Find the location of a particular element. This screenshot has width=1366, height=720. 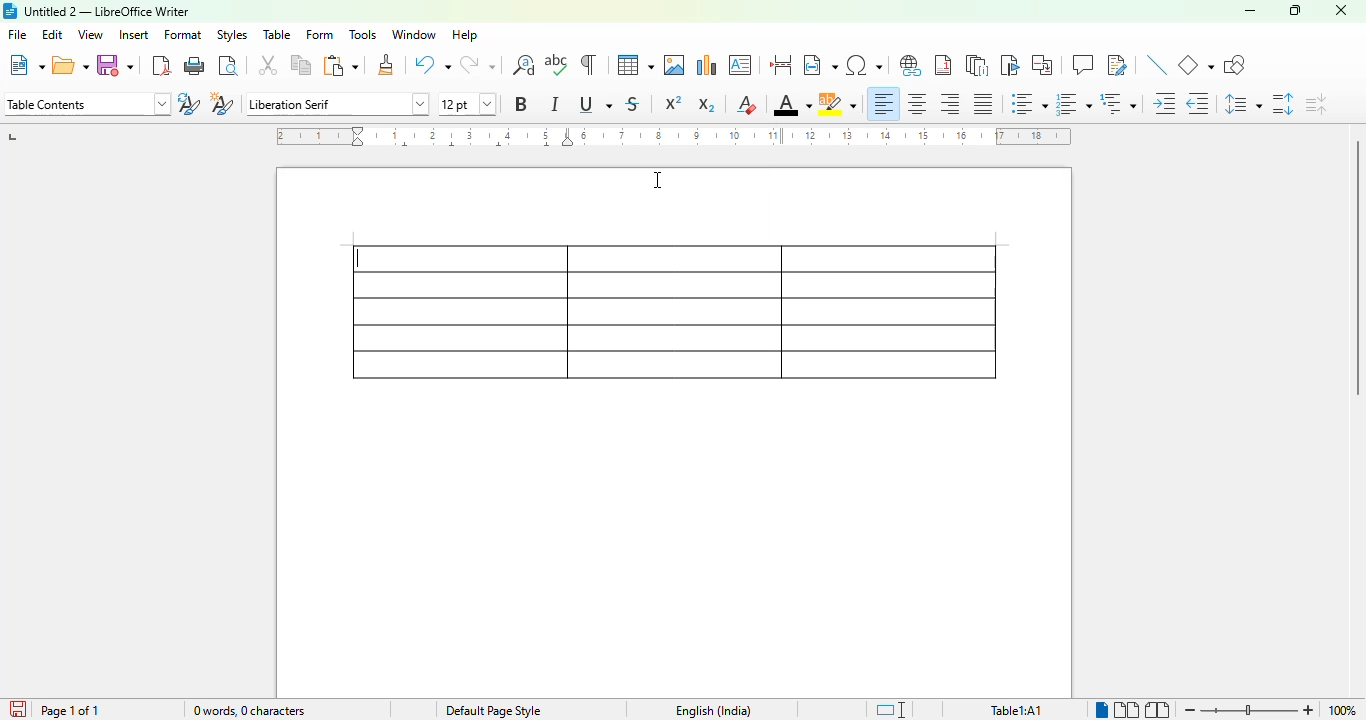

undo is located at coordinates (433, 65).